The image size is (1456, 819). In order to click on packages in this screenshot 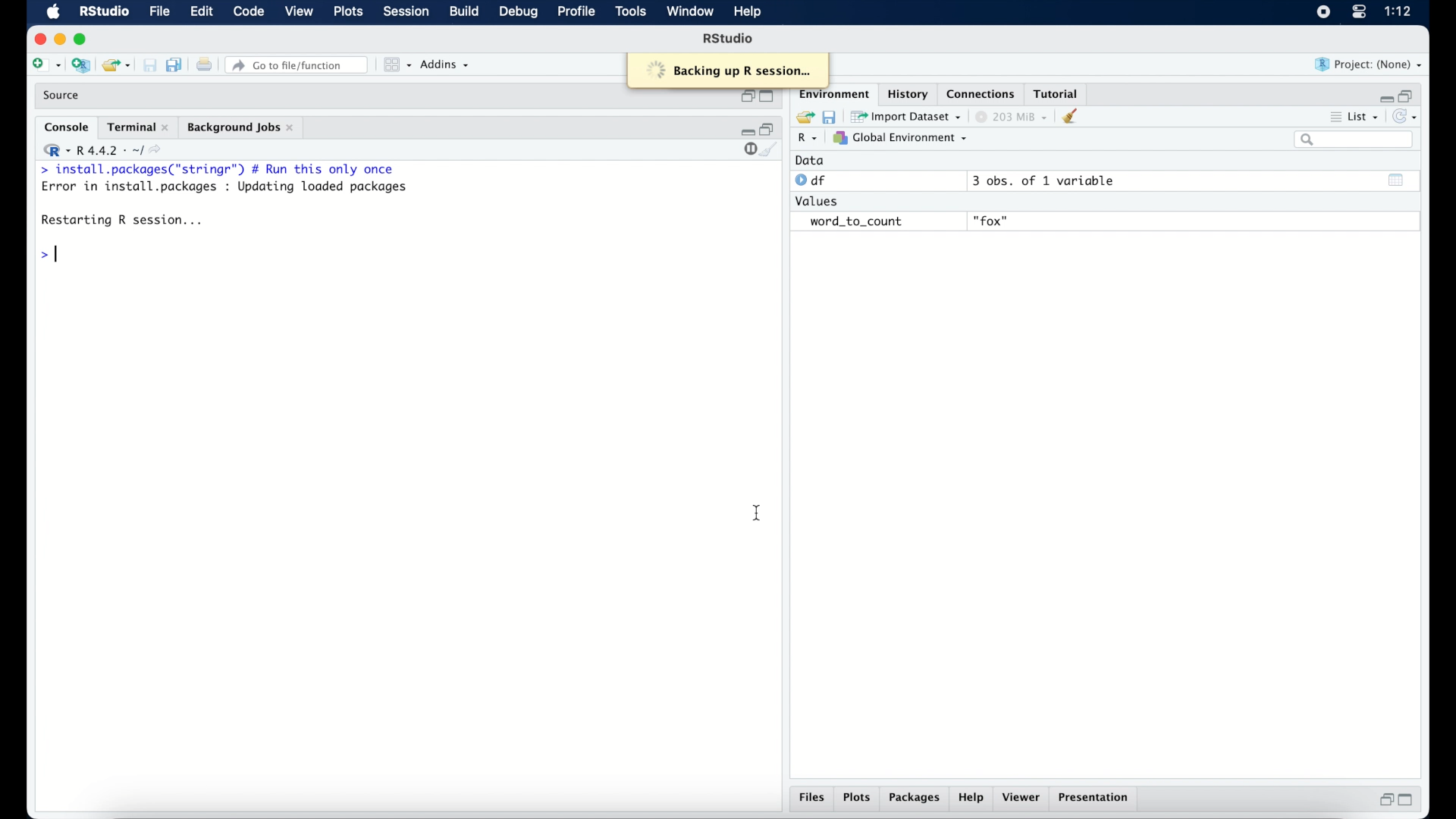, I will do `click(915, 799)`.